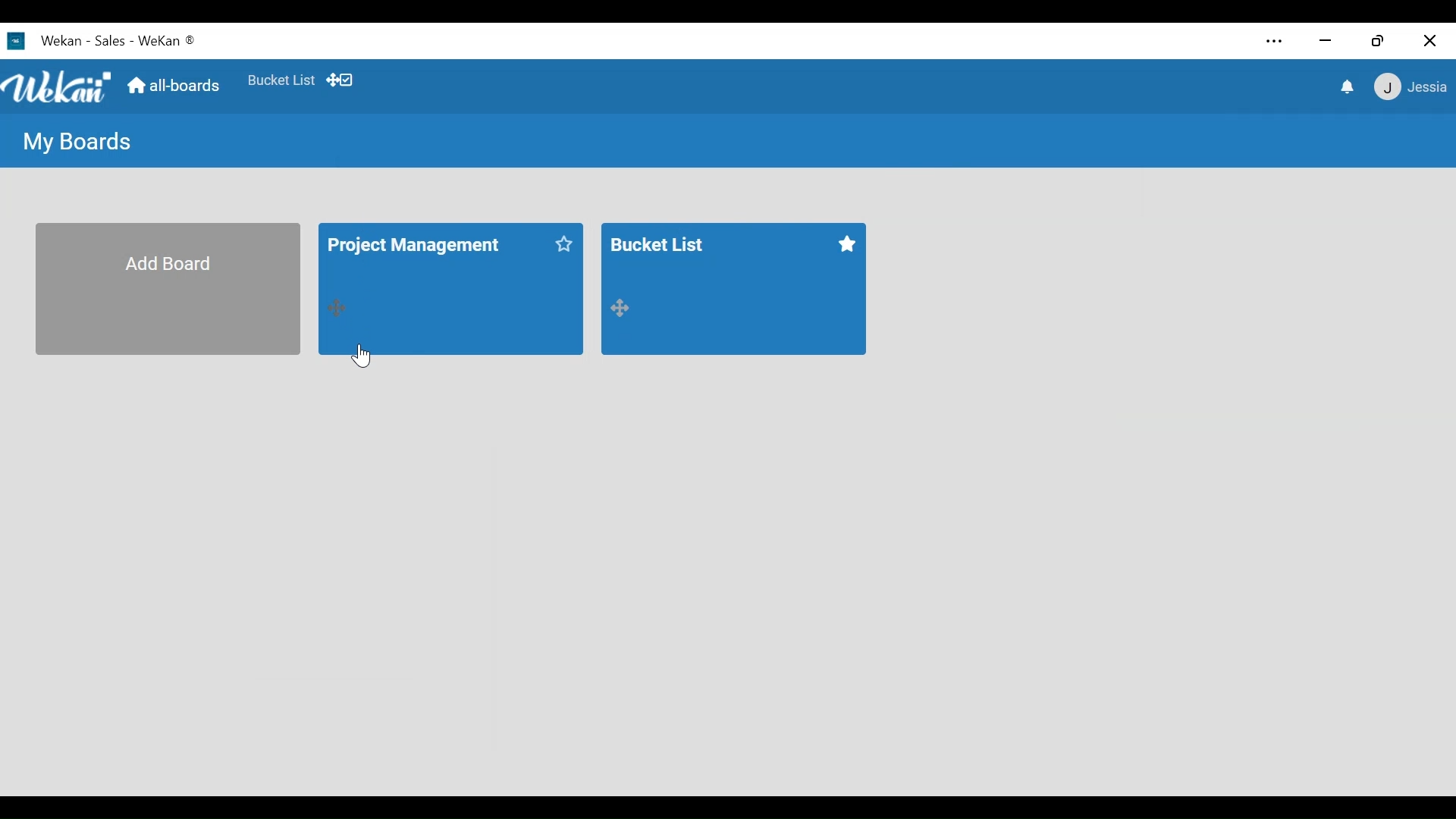  I want to click on jessie, so click(1410, 87).